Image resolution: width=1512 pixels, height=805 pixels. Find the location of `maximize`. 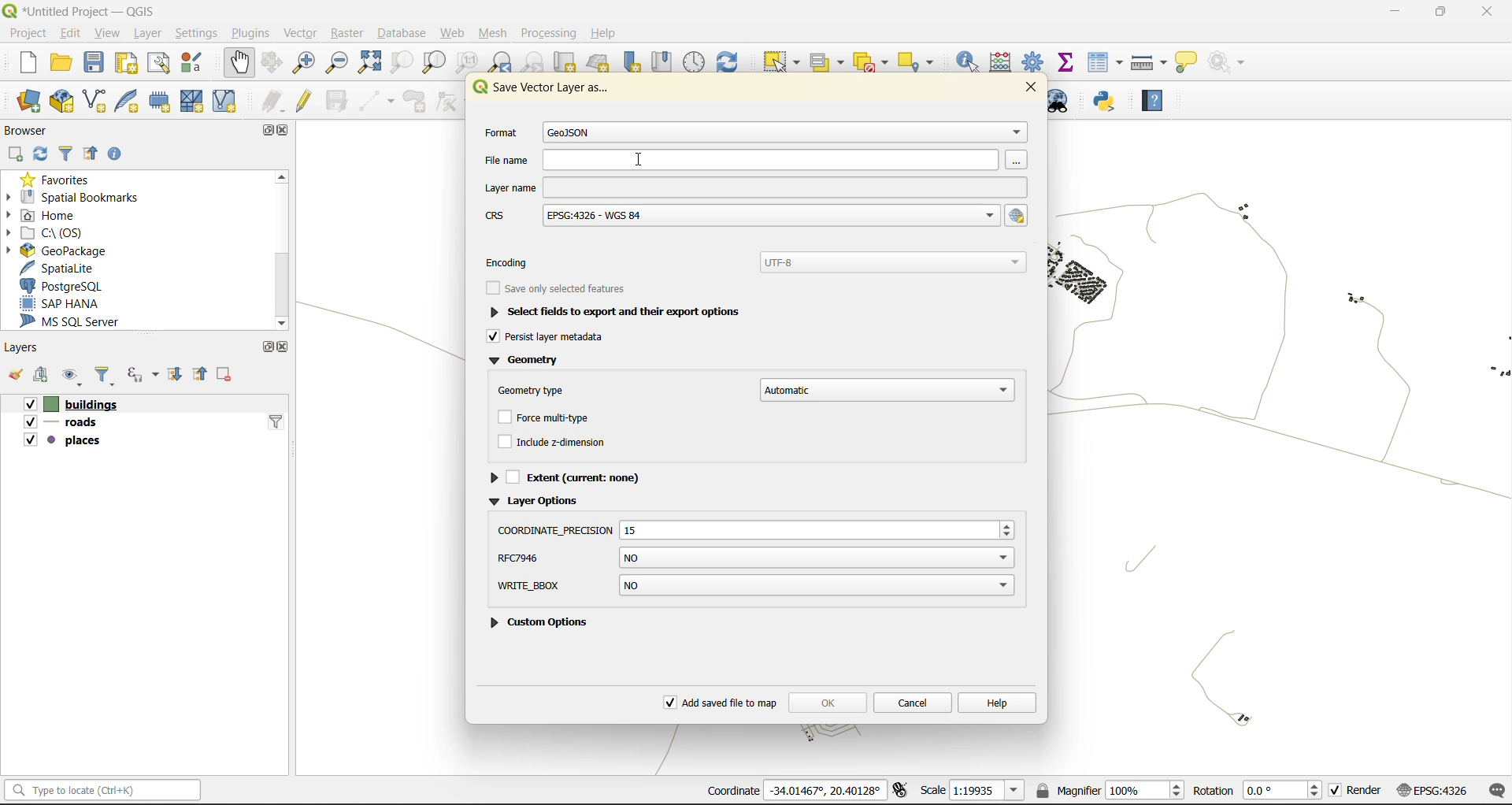

maximize is located at coordinates (264, 350).